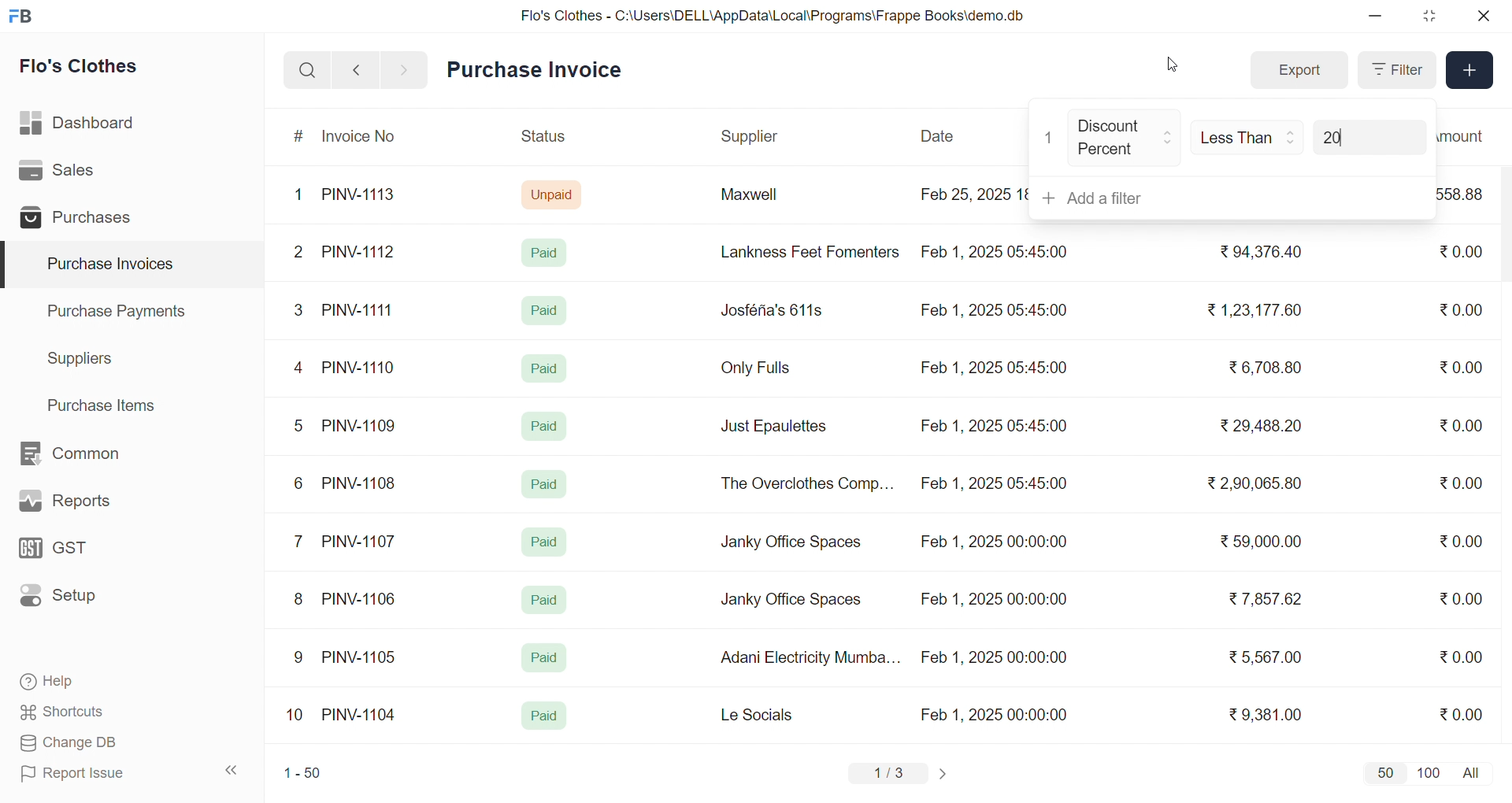  I want to click on navigate backward, so click(356, 69).